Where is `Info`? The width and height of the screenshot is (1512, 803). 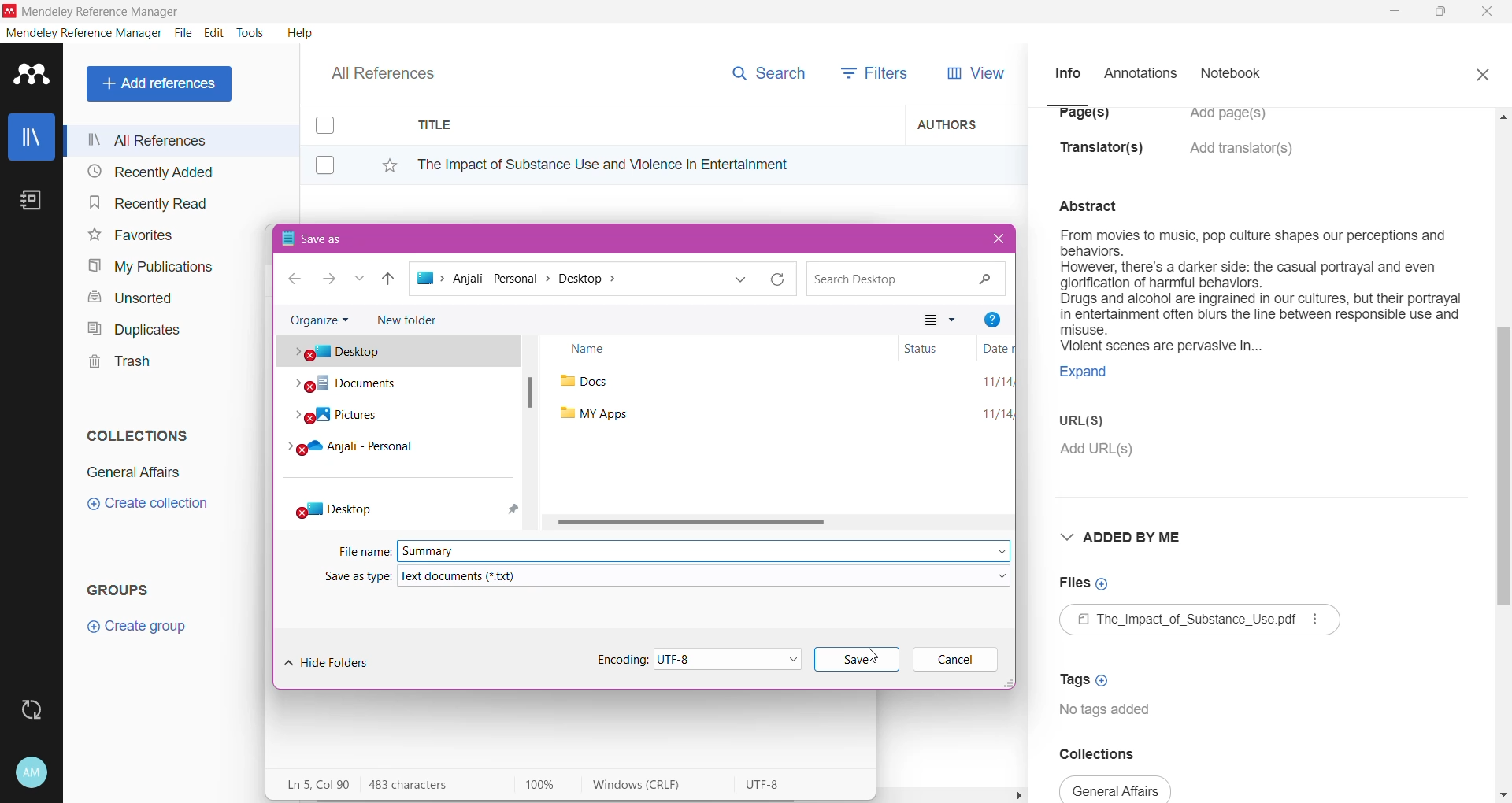
Info is located at coordinates (1067, 72).